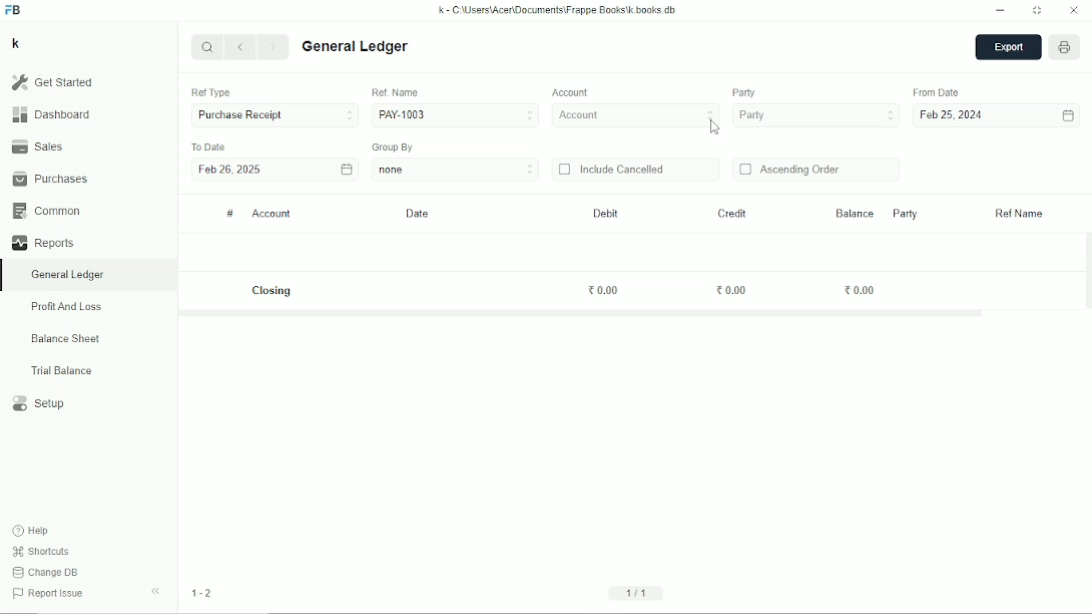 This screenshot has height=614, width=1092. What do you see at coordinates (744, 93) in the screenshot?
I see `Party` at bounding box center [744, 93].